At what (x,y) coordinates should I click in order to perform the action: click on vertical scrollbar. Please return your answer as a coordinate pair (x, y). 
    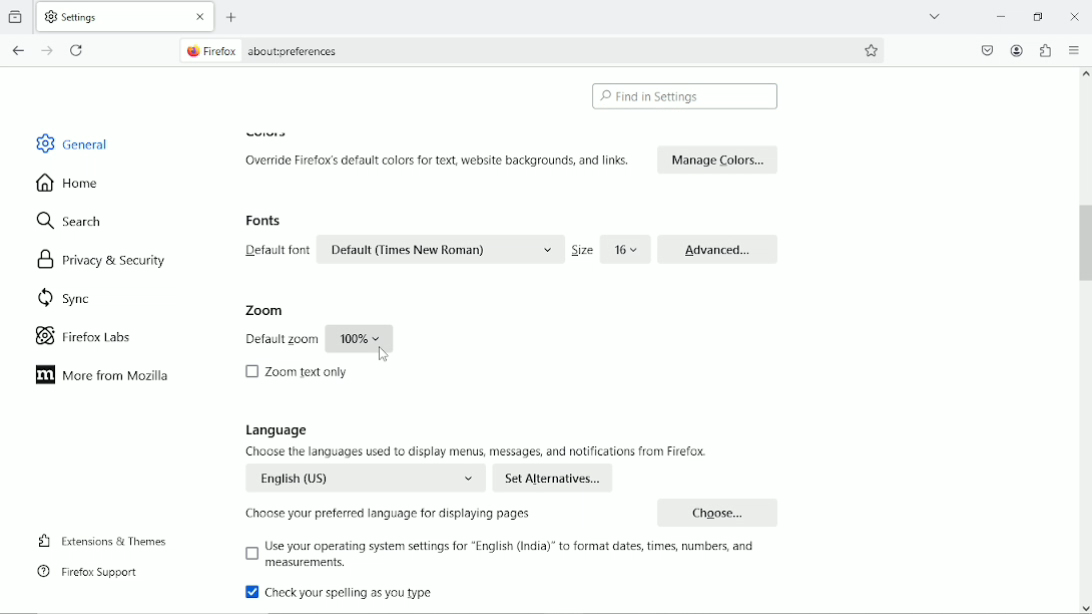
    Looking at the image, I should click on (1079, 240).